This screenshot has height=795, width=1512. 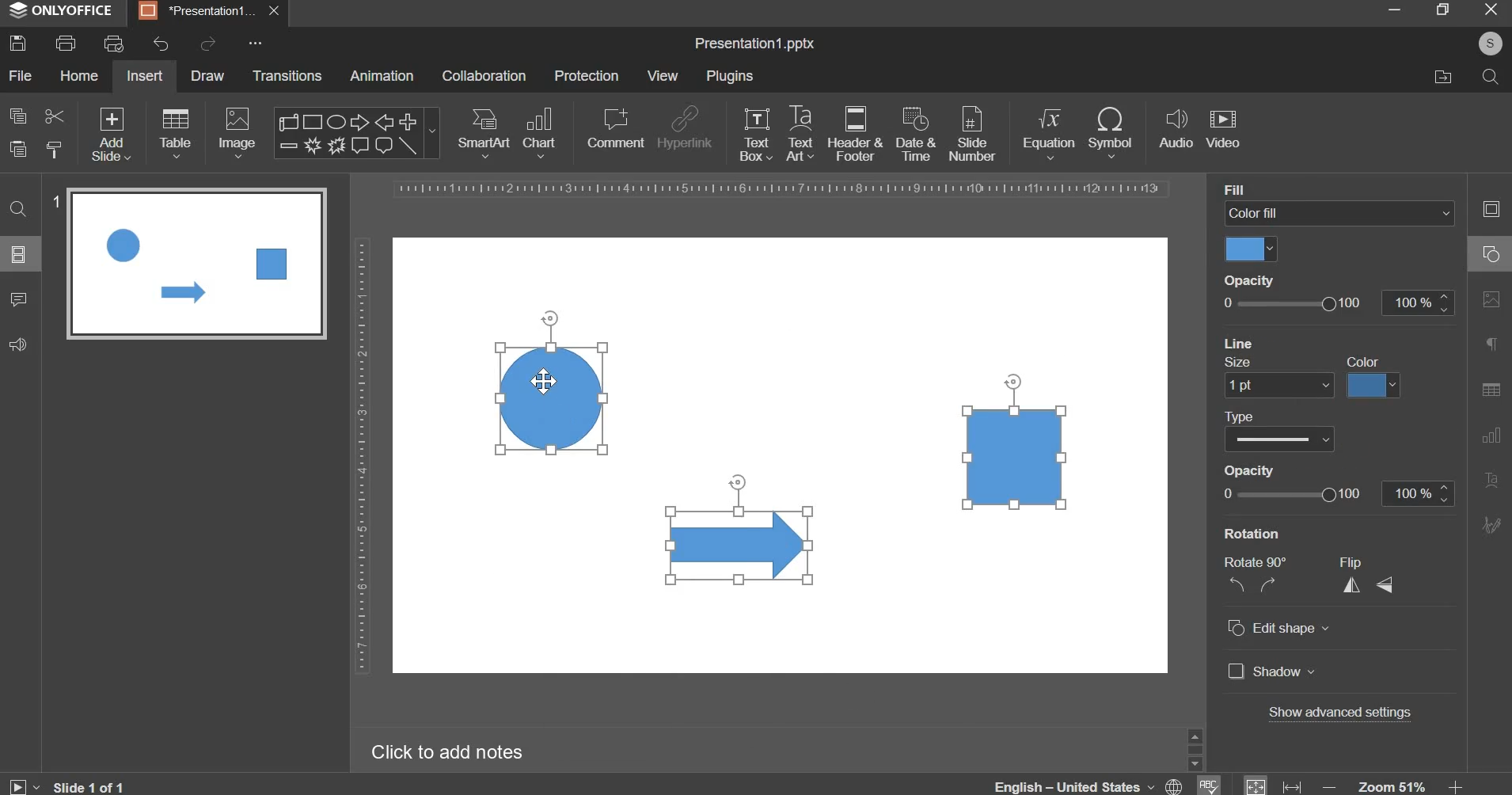 What do you see at coordinates (55, 150) in the screenshot?
I see `copy style` at bounding box center [55, 150].